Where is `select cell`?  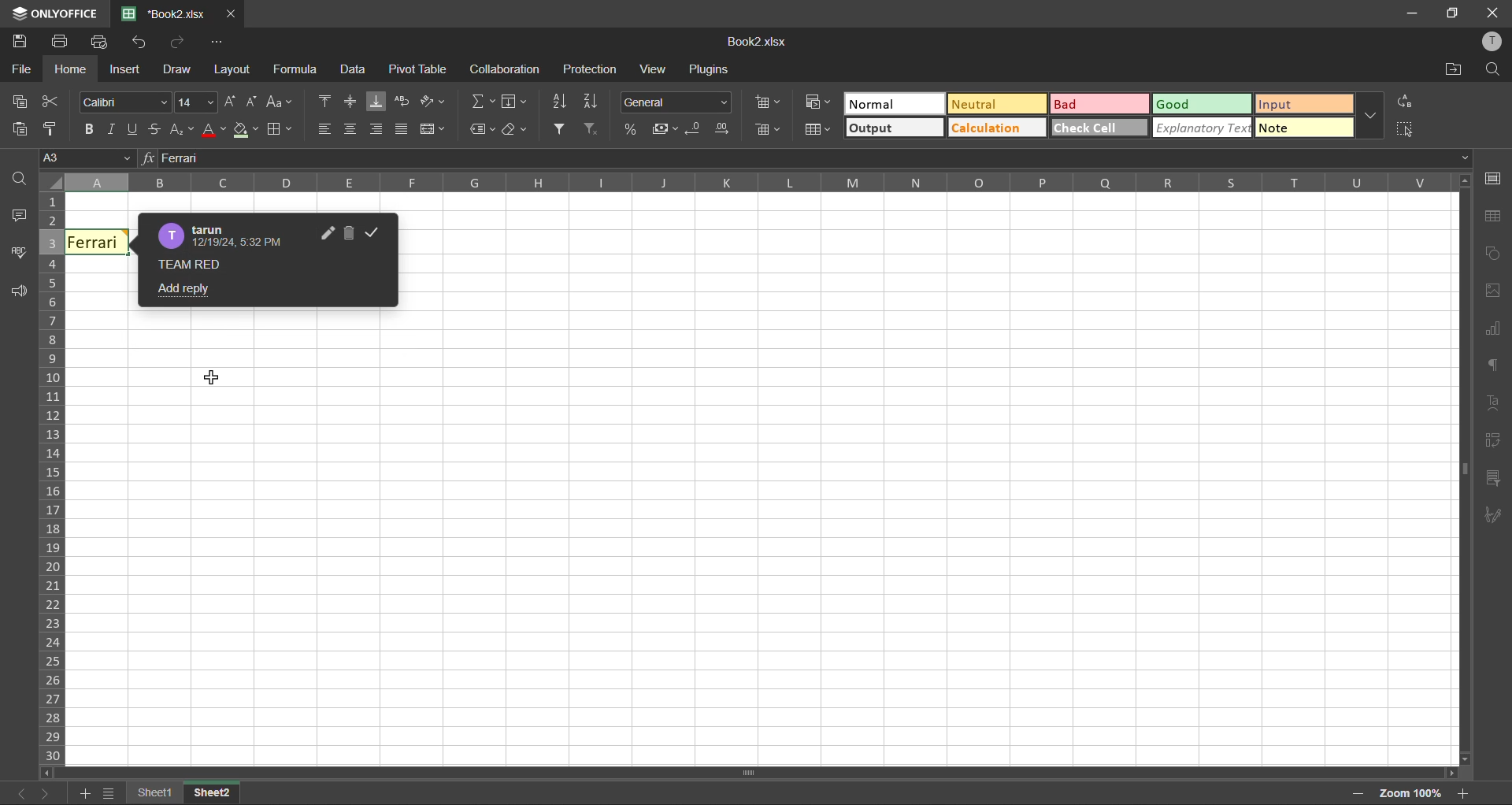
select cell is located at coordinates (1410, 132).